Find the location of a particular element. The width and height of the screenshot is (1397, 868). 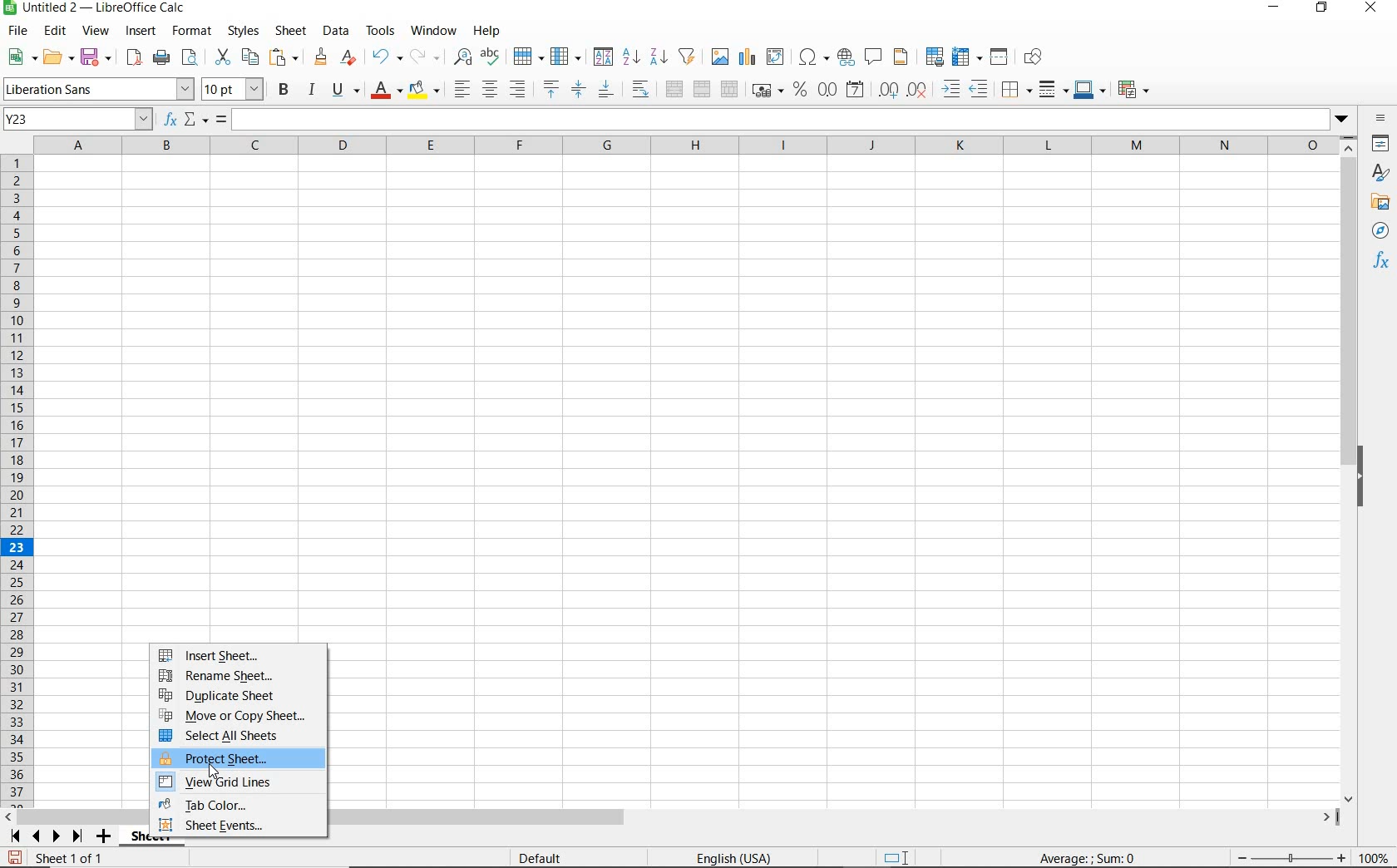

CENTER VERTICALLY is located at coordinates (579, 91).